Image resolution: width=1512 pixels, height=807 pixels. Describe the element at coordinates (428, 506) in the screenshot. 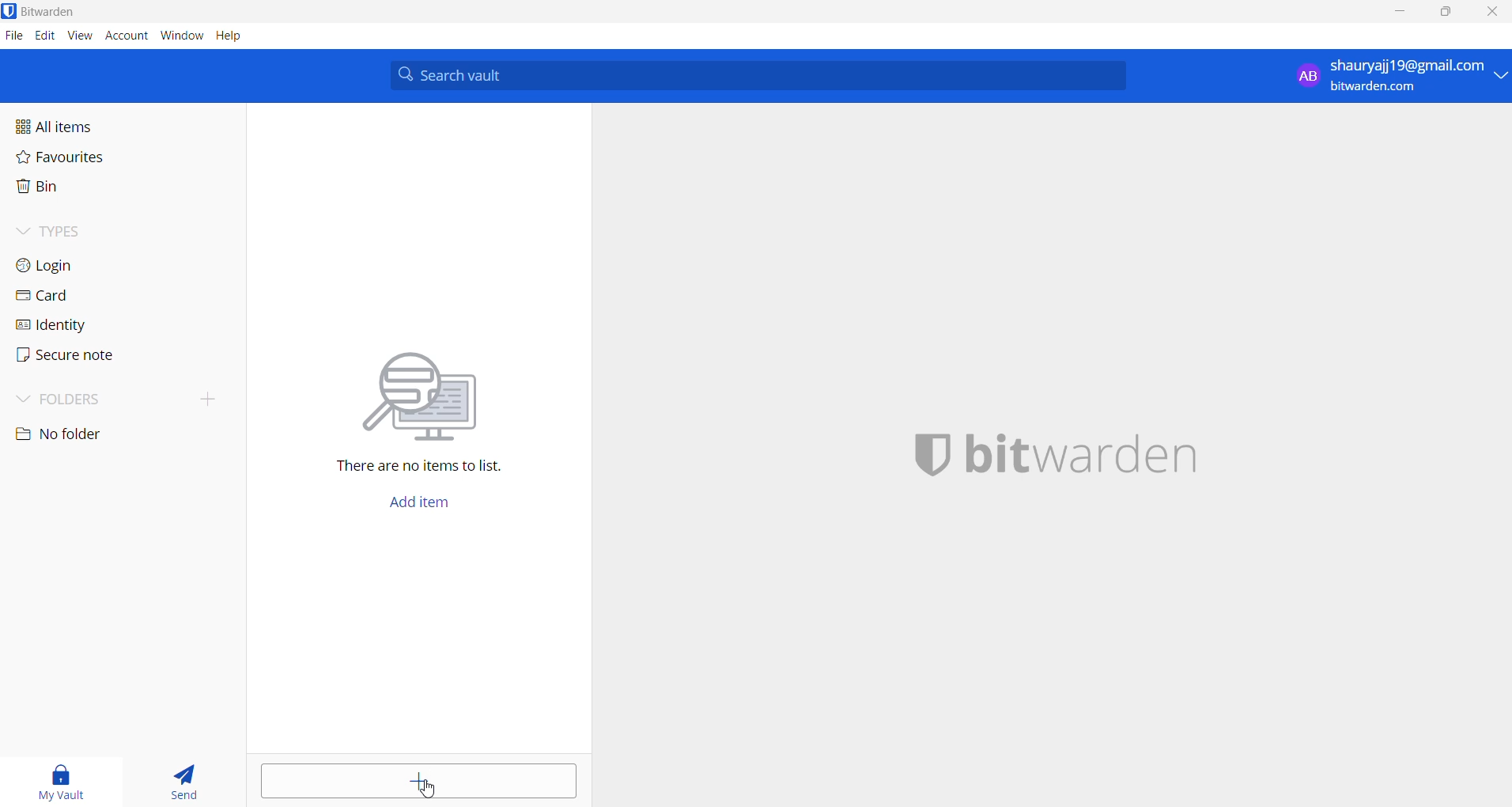

I see `add item button` at that location.